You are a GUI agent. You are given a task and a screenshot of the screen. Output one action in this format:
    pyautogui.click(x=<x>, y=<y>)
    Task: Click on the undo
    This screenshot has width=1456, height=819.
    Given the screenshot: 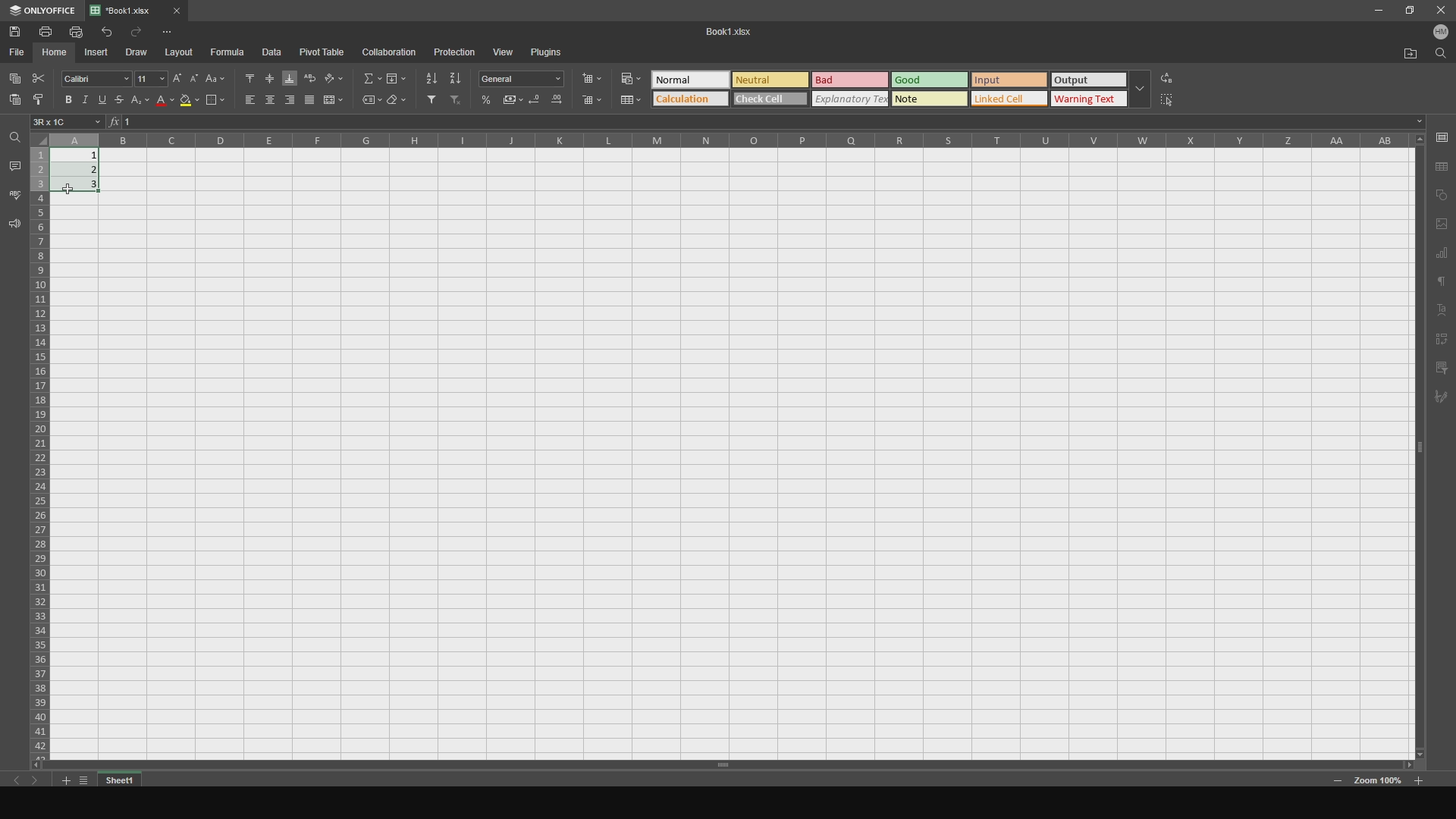 What is the action you would take?
    pyautogui.click(x=105, y=31)
    